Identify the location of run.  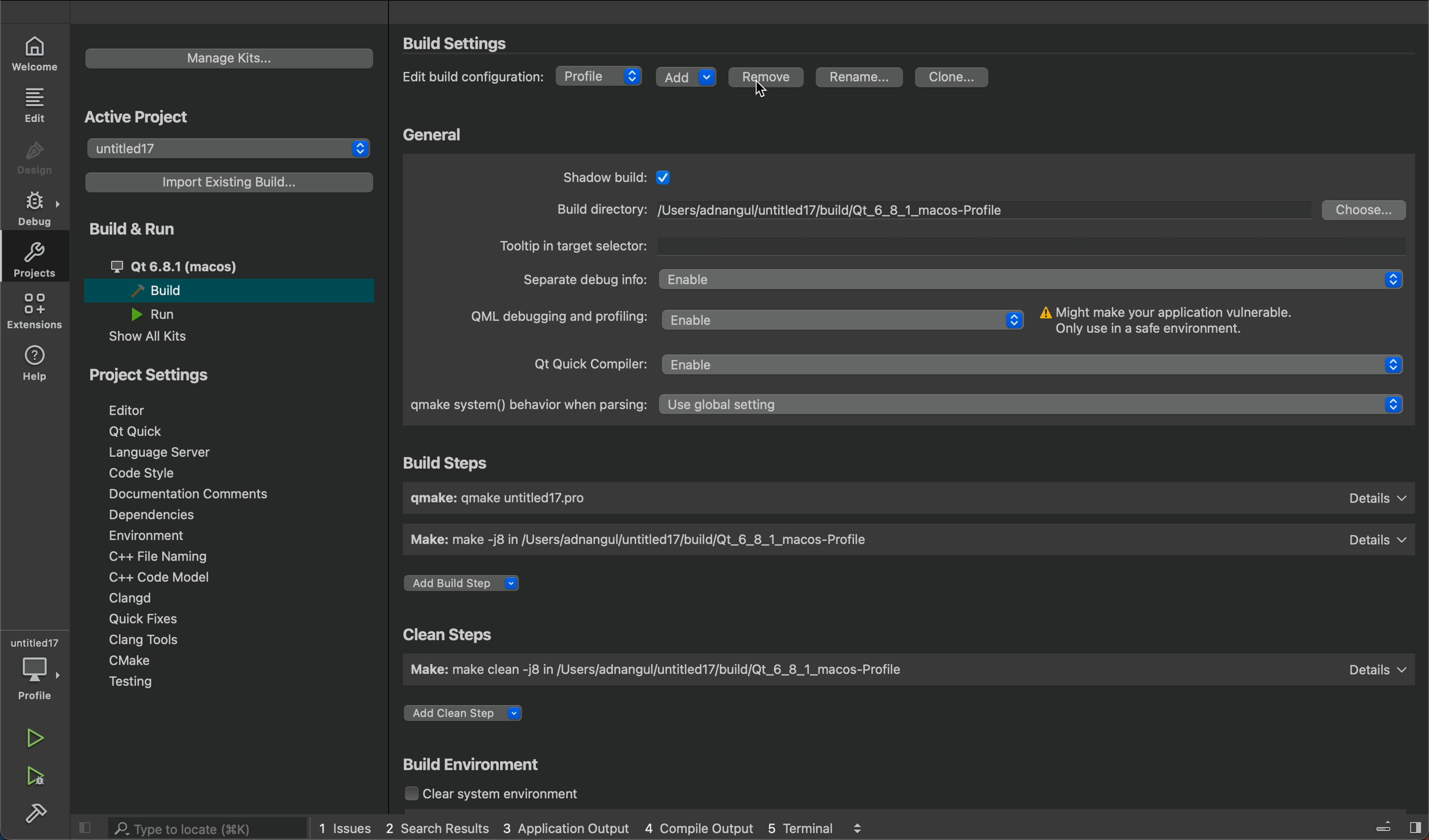
(36, 736).